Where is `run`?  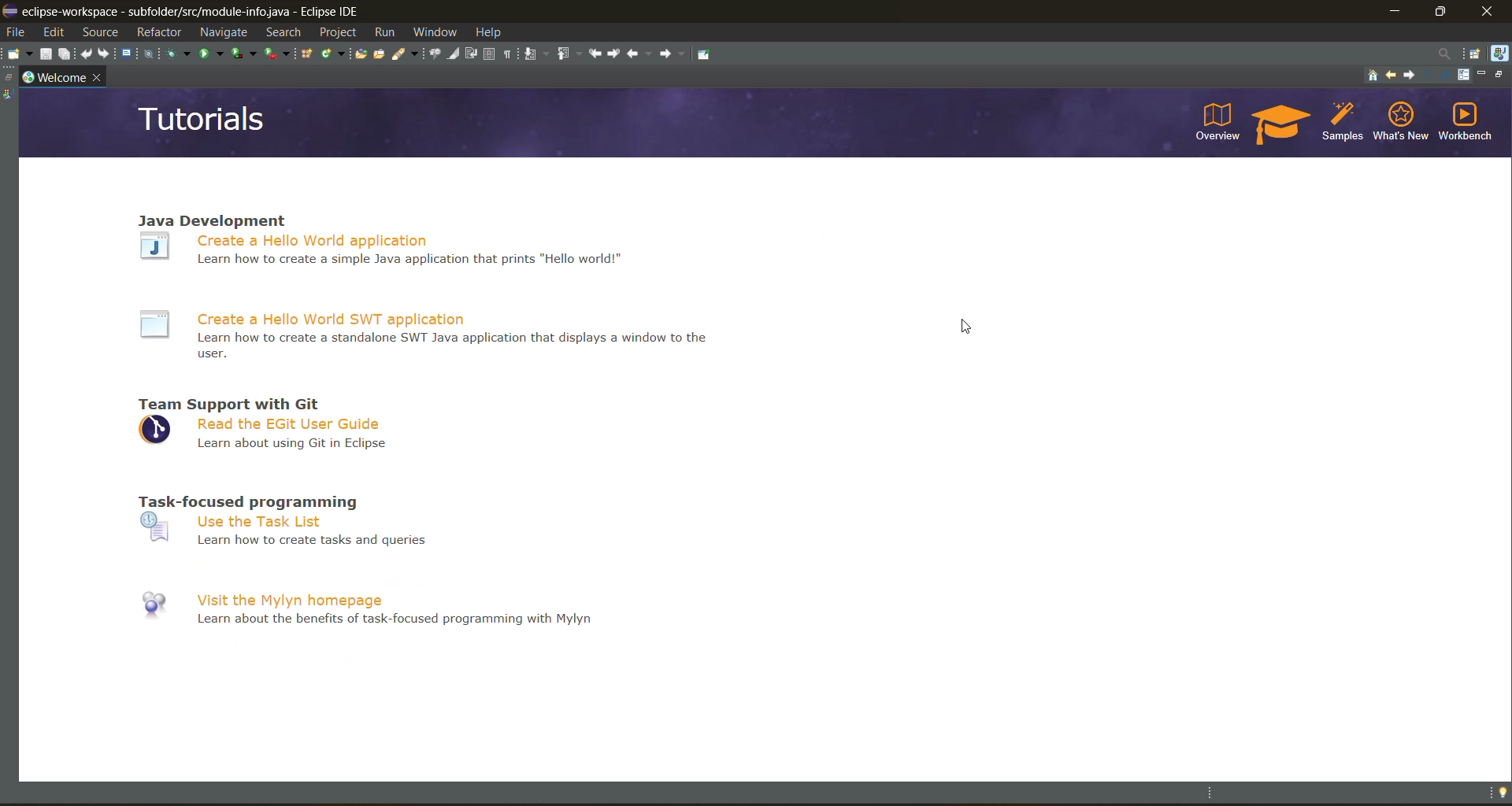 run is located at coordinates (382, 32).